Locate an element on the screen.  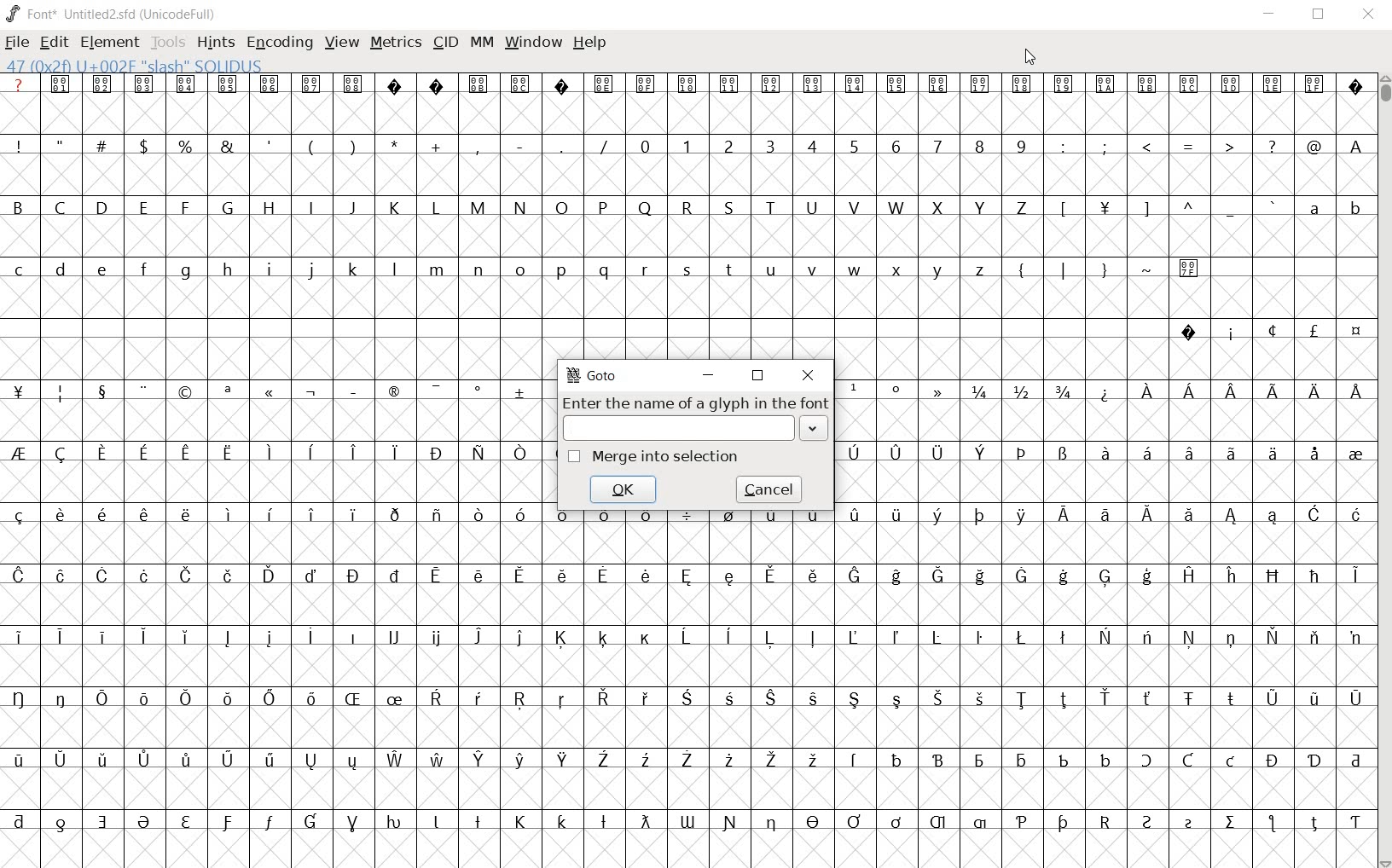
WINDOW is located at coordinates (531, 43).